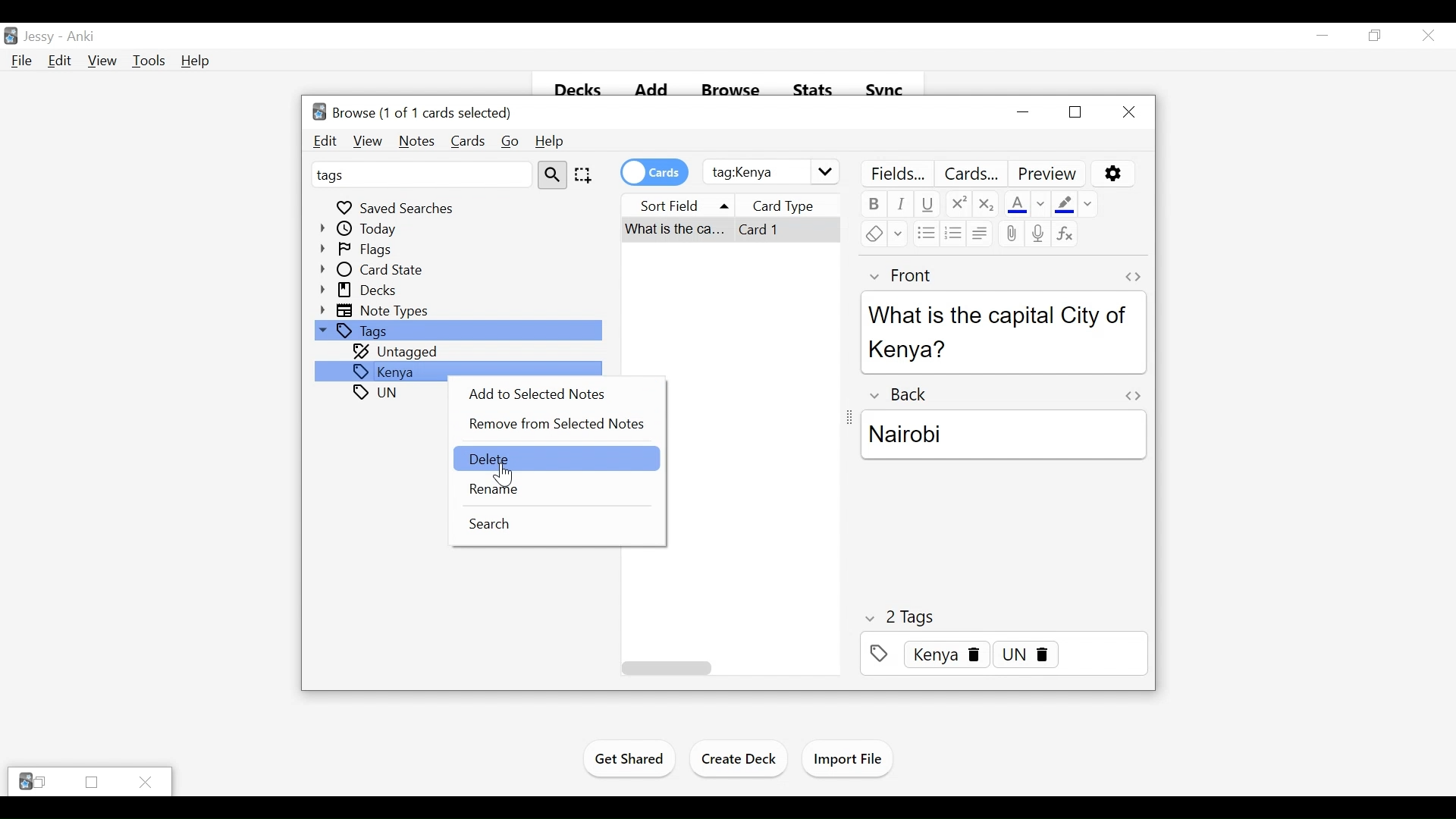  What do you see at coordinates (416, 142) in the screenshot?
I see `Notes` at bounding box center [416, 142].